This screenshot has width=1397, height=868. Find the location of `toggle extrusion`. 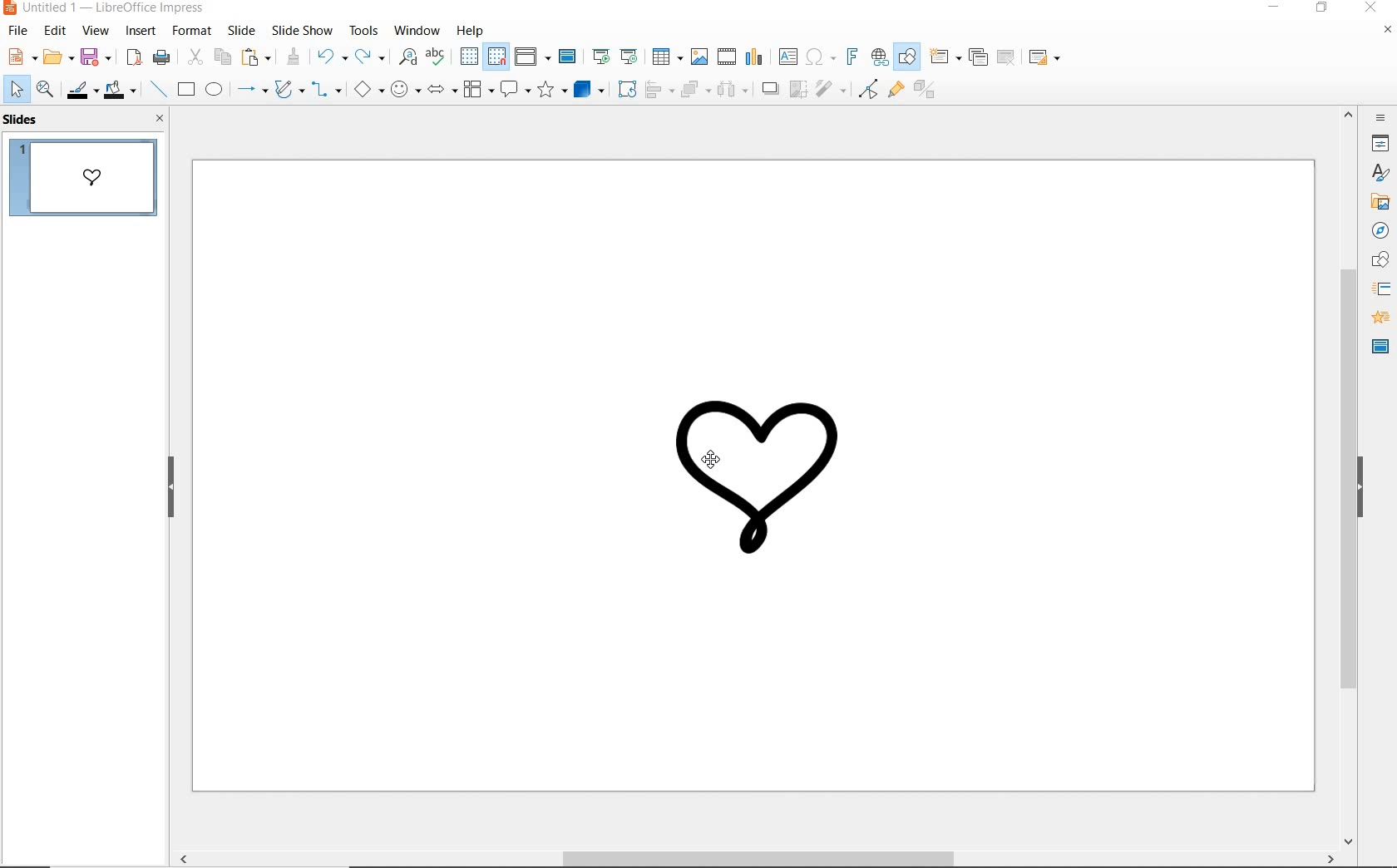

toggle extrusion is located at coordinates (924, 91).